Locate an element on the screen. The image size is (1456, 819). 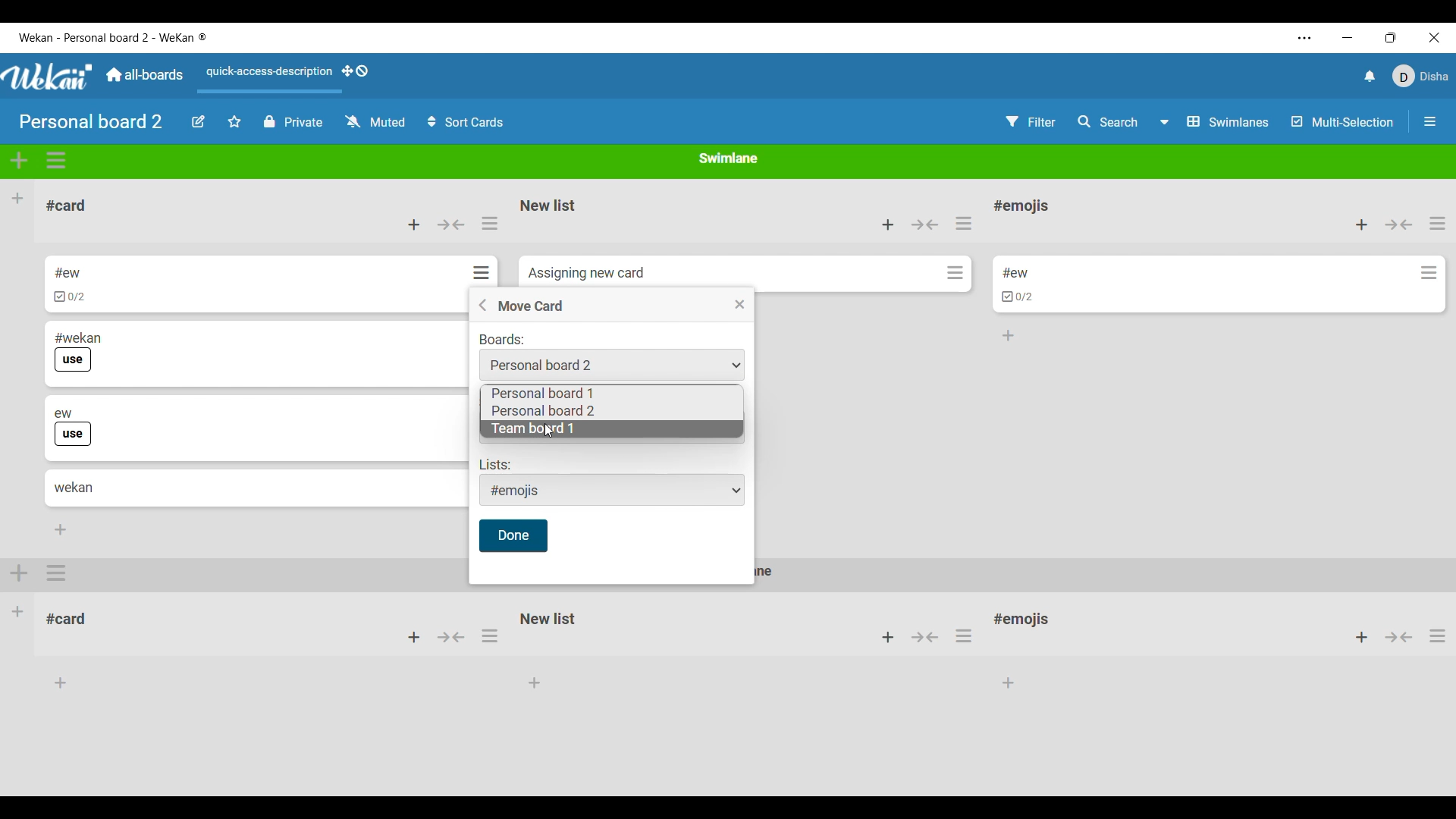
List actions is located at coordinates (490, 223).